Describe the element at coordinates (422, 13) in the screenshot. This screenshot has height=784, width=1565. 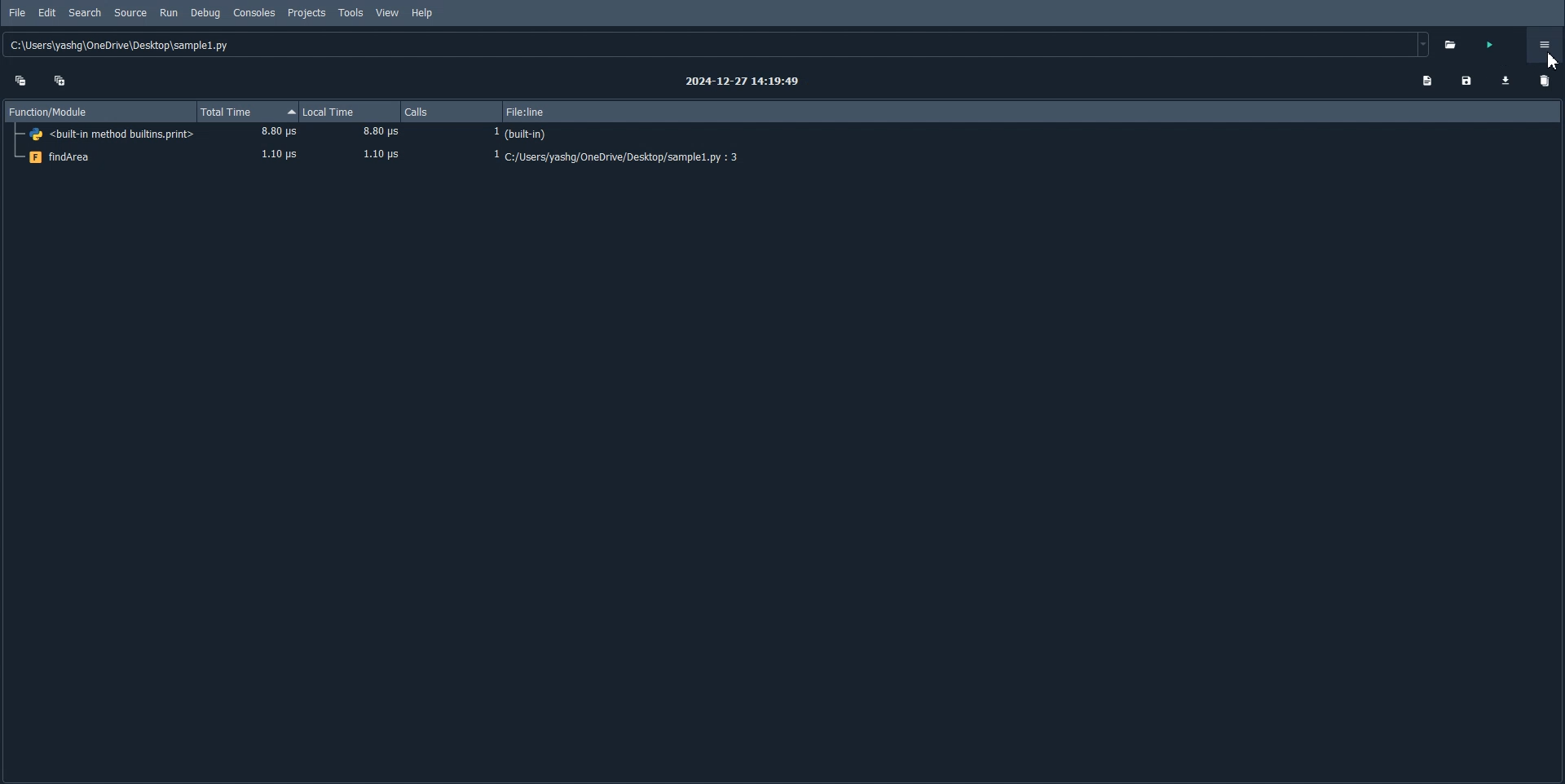
I see `Help` at that location.